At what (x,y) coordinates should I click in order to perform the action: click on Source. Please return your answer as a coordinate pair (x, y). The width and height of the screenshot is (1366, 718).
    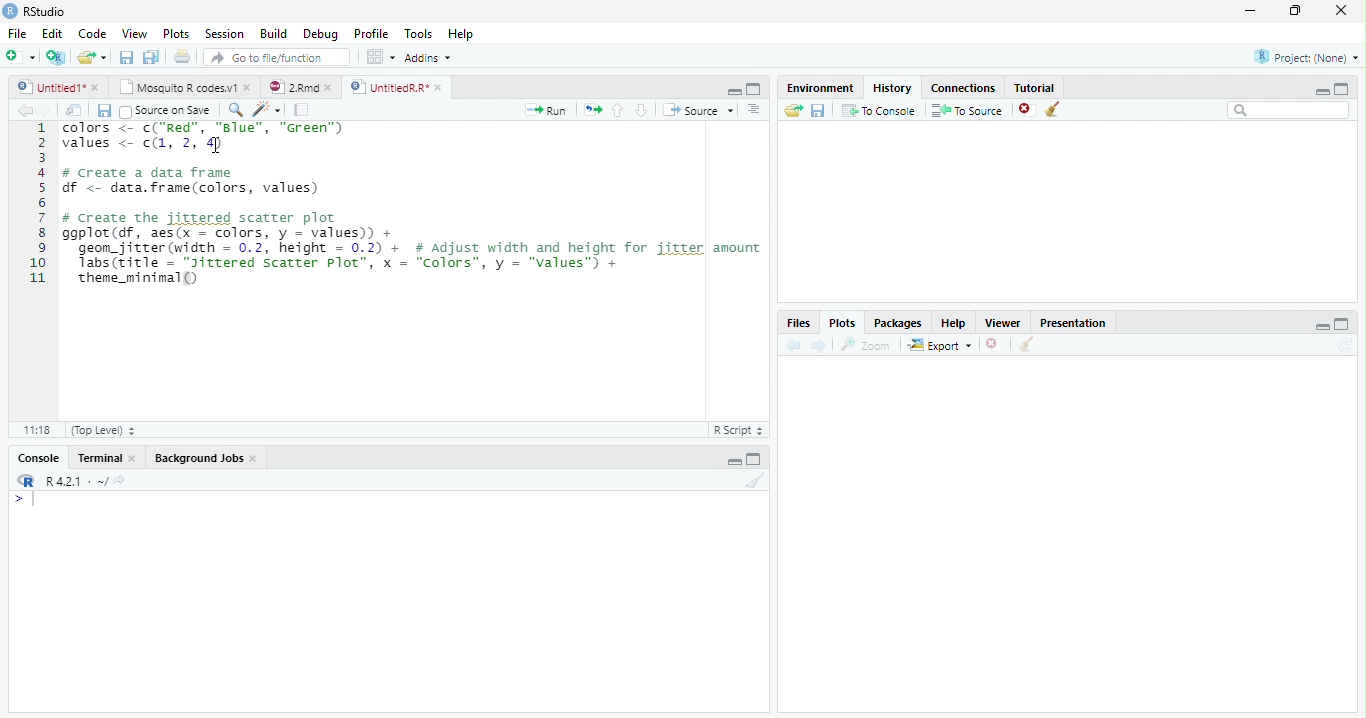
    Looking at the image, I should click on (698, 110).